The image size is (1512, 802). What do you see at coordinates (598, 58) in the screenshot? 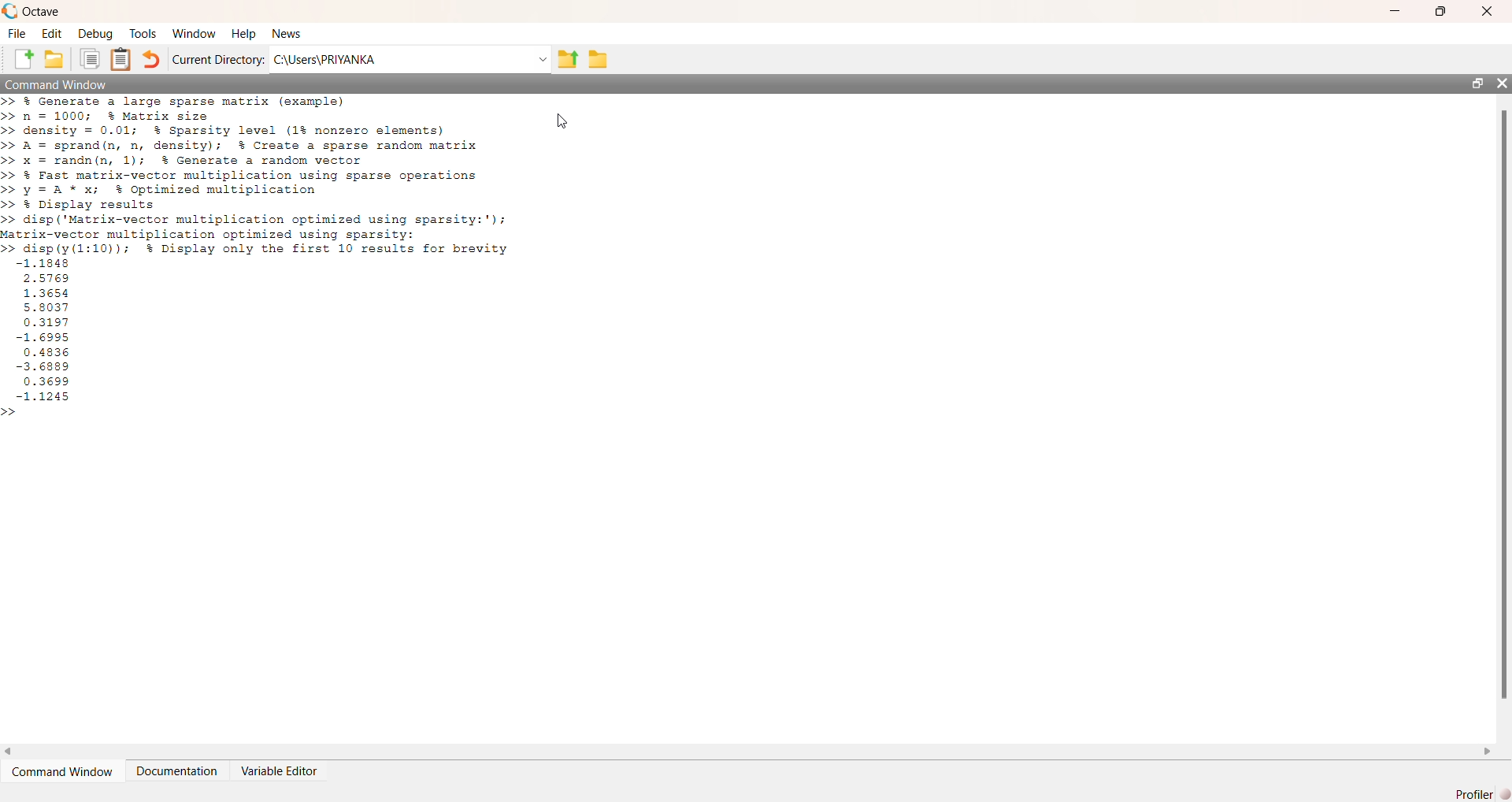
I see `browse directories` at bounding box center [598, 58].